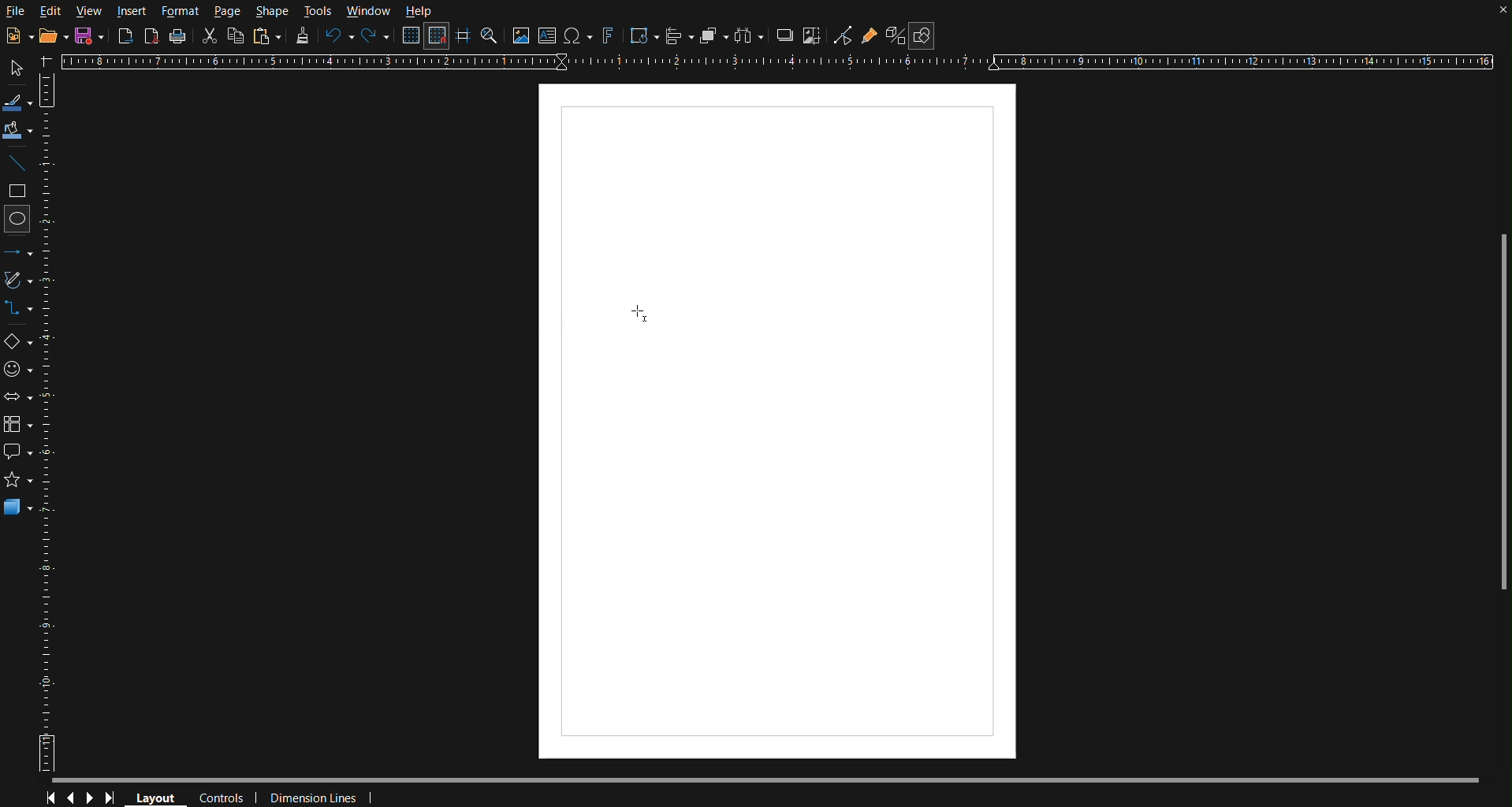 This screenshot has width=1512, height=807. Describe the element at coordinates (438, 37) in the screenshot. I see `Snap to Grid` at that location.